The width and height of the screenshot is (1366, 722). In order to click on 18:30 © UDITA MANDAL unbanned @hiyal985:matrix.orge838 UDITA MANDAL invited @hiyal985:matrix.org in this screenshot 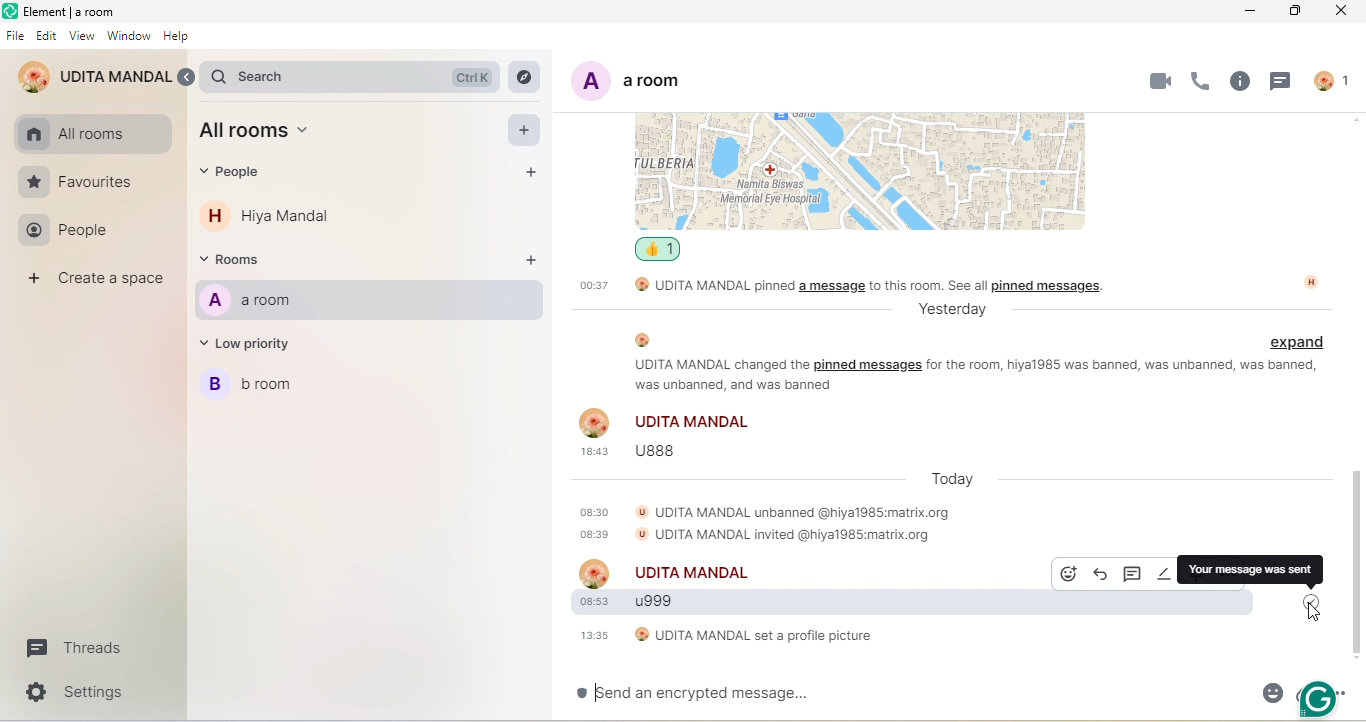, I will do `click(756, 520)`.